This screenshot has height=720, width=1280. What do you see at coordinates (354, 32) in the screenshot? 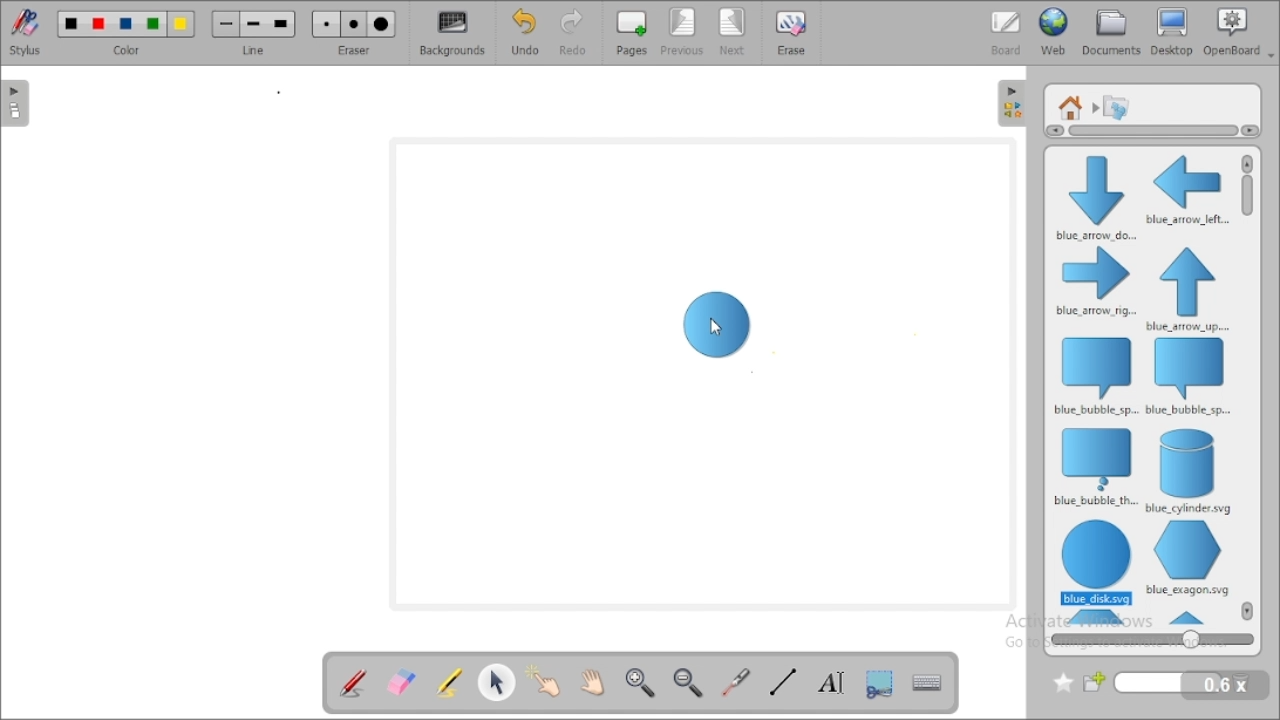
I see `eraser` at bounding box center [354, 32].